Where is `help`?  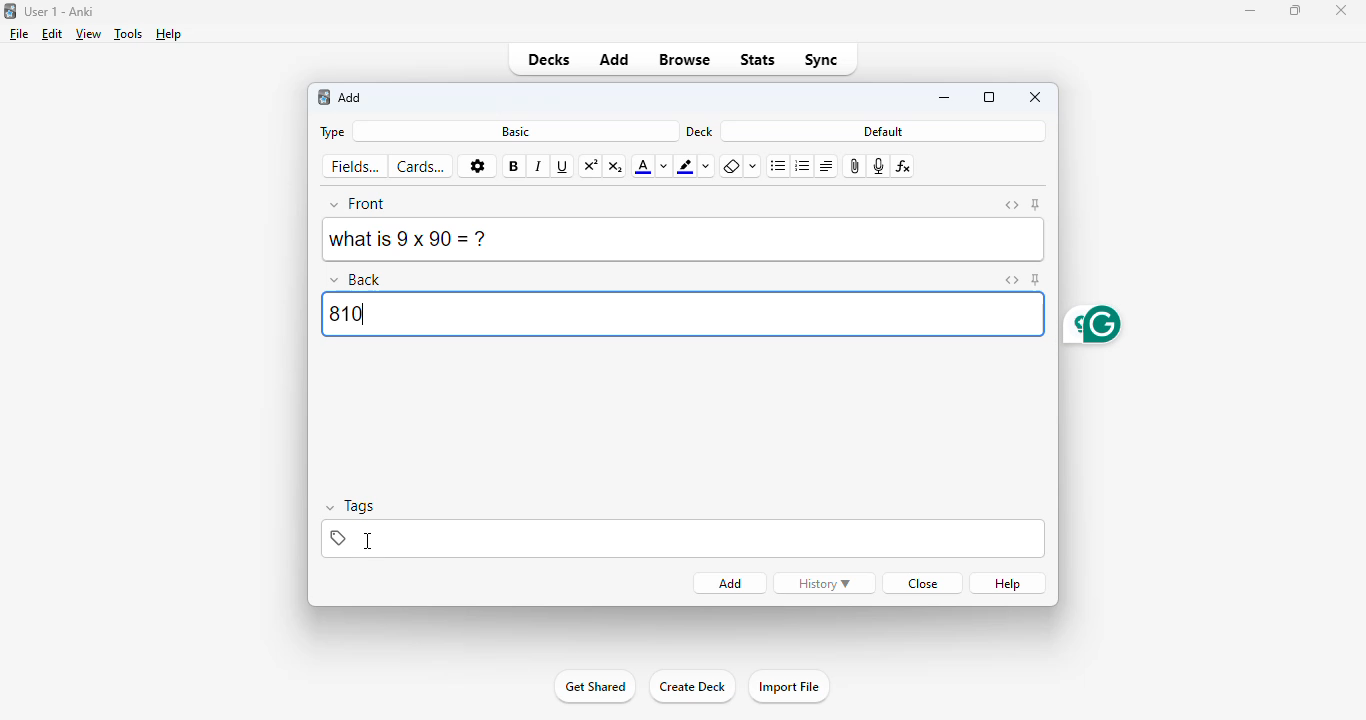
help is located at coordinates (1009, 583).